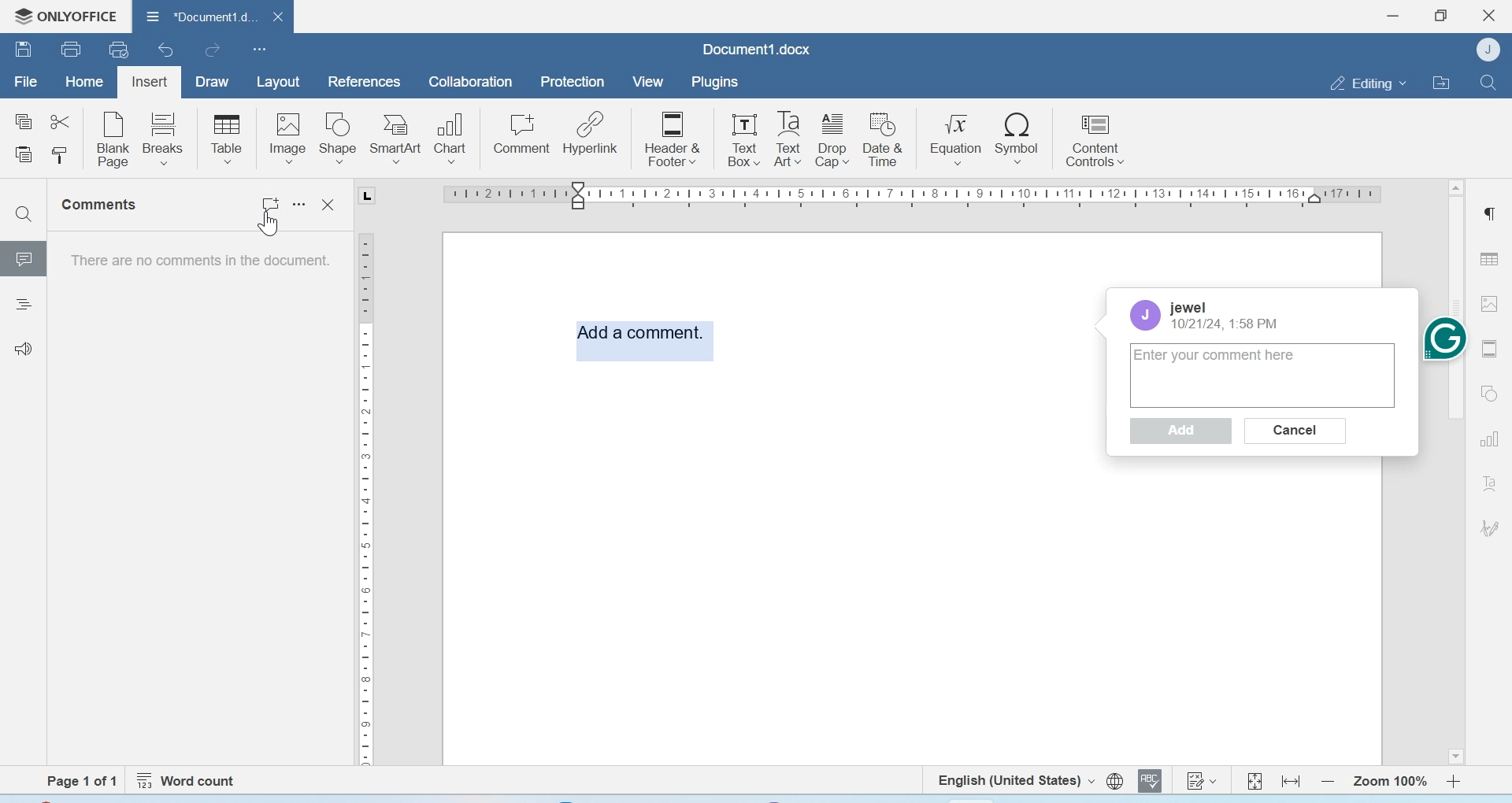 This screenshot has width=1512, height=803. Describe the element at coordinates (1292, 781) in the screenshot. I see `Fit to width` at that location.